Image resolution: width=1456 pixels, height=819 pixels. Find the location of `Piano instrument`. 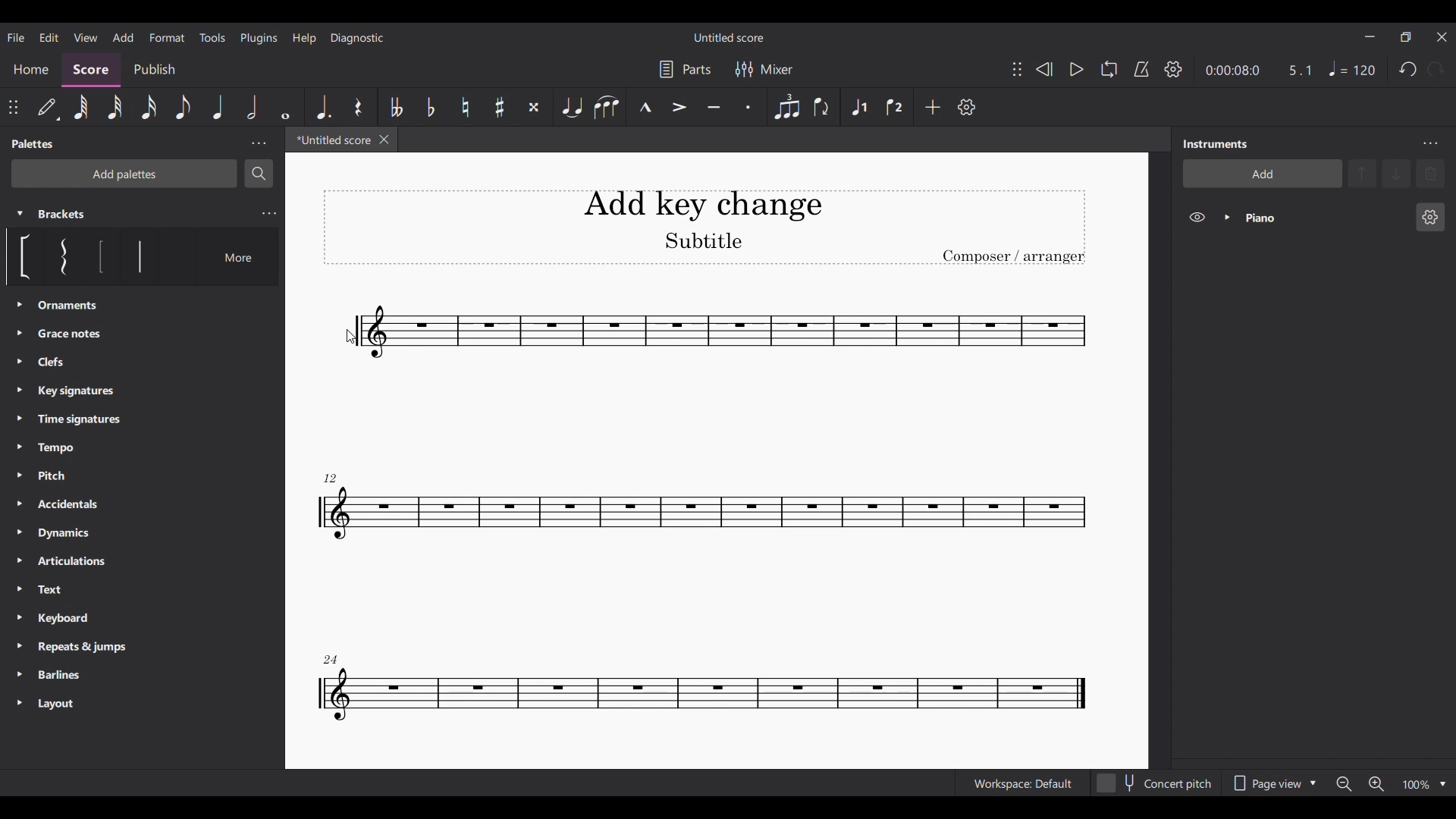

Piano instrument is located at coordinates (1325, 218).